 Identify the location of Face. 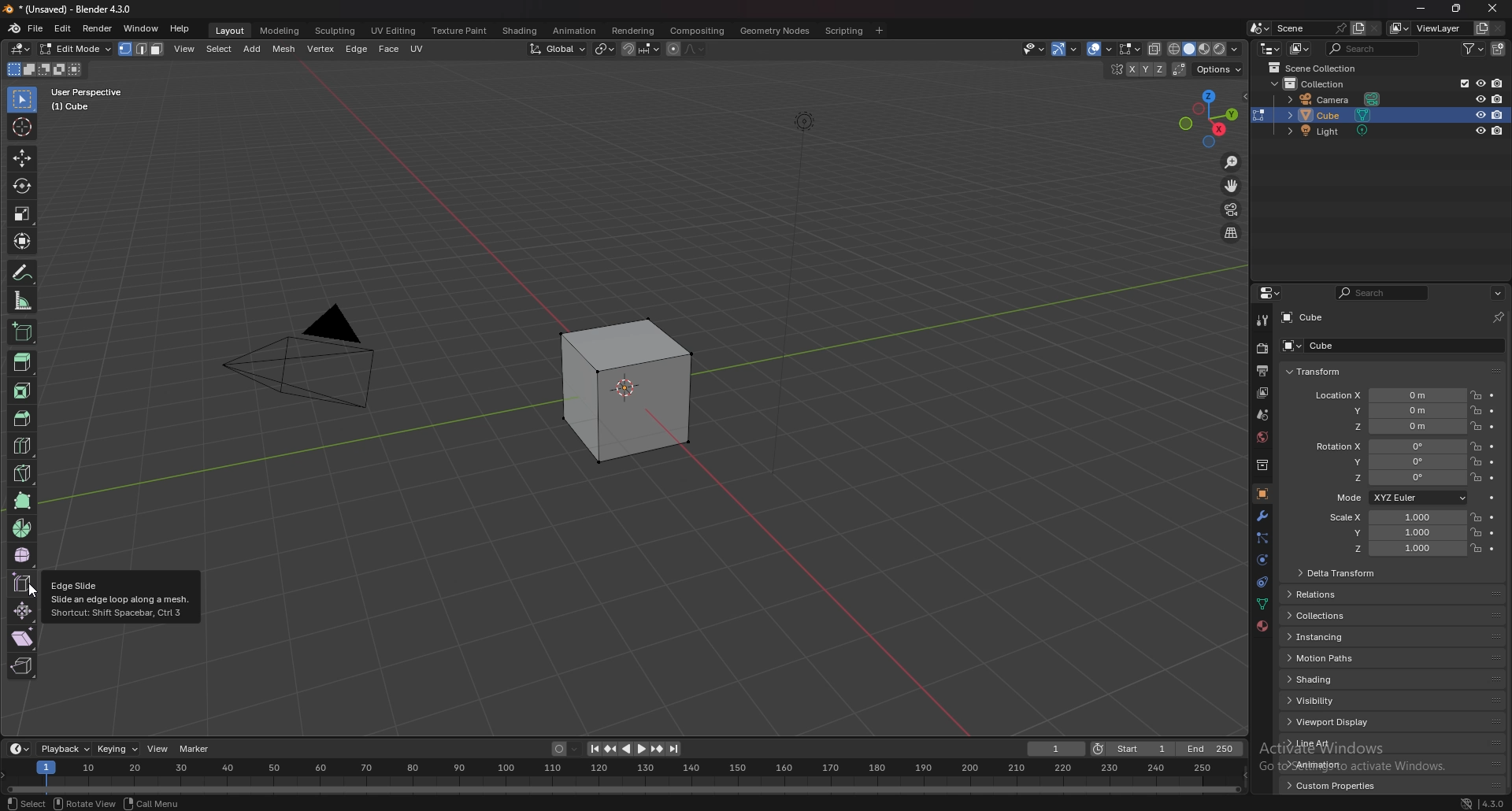
(387, 46).